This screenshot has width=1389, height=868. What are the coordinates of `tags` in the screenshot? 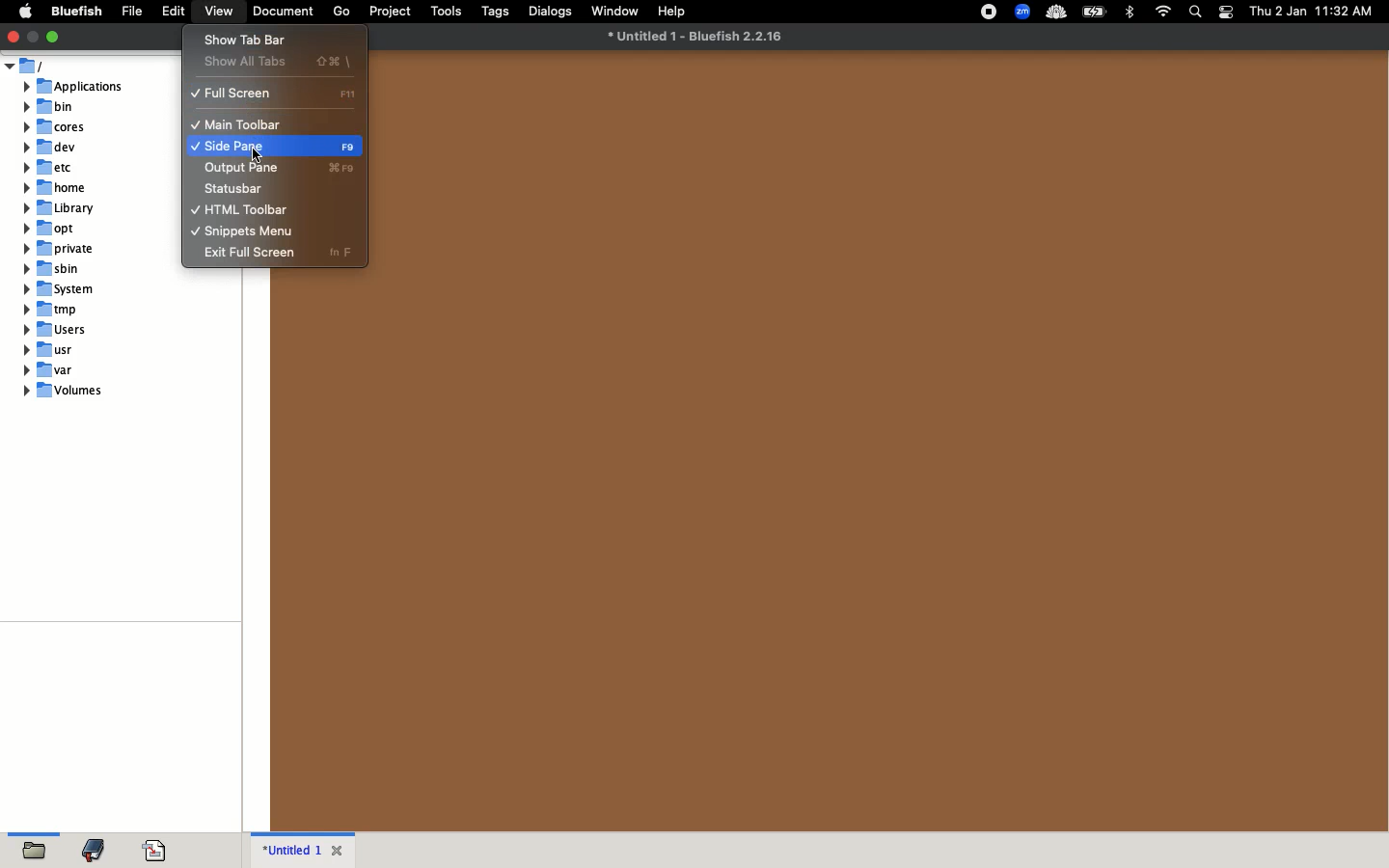 It's located at (497, 13).